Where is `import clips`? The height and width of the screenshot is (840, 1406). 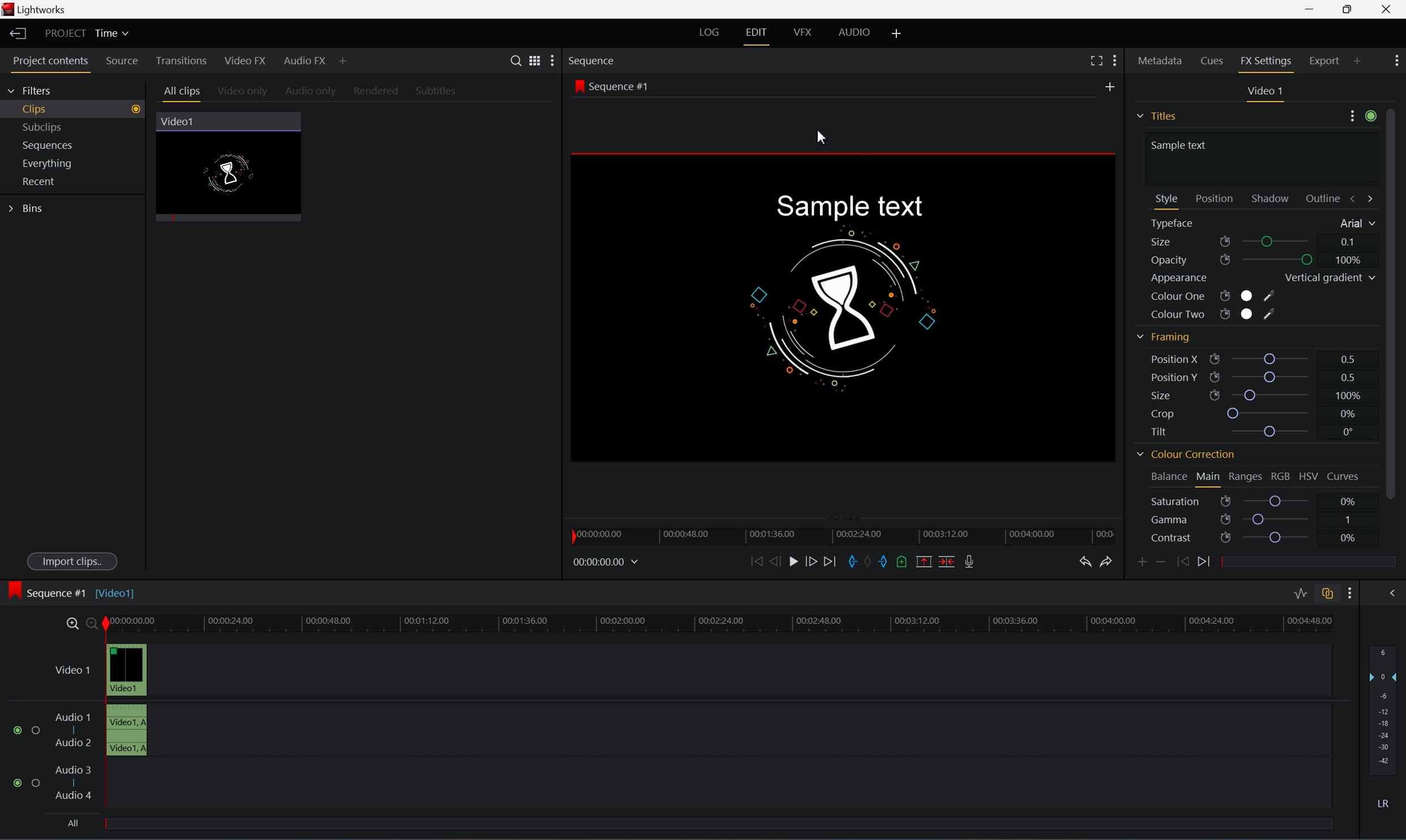 import clips is located at coordinates (74, 563).